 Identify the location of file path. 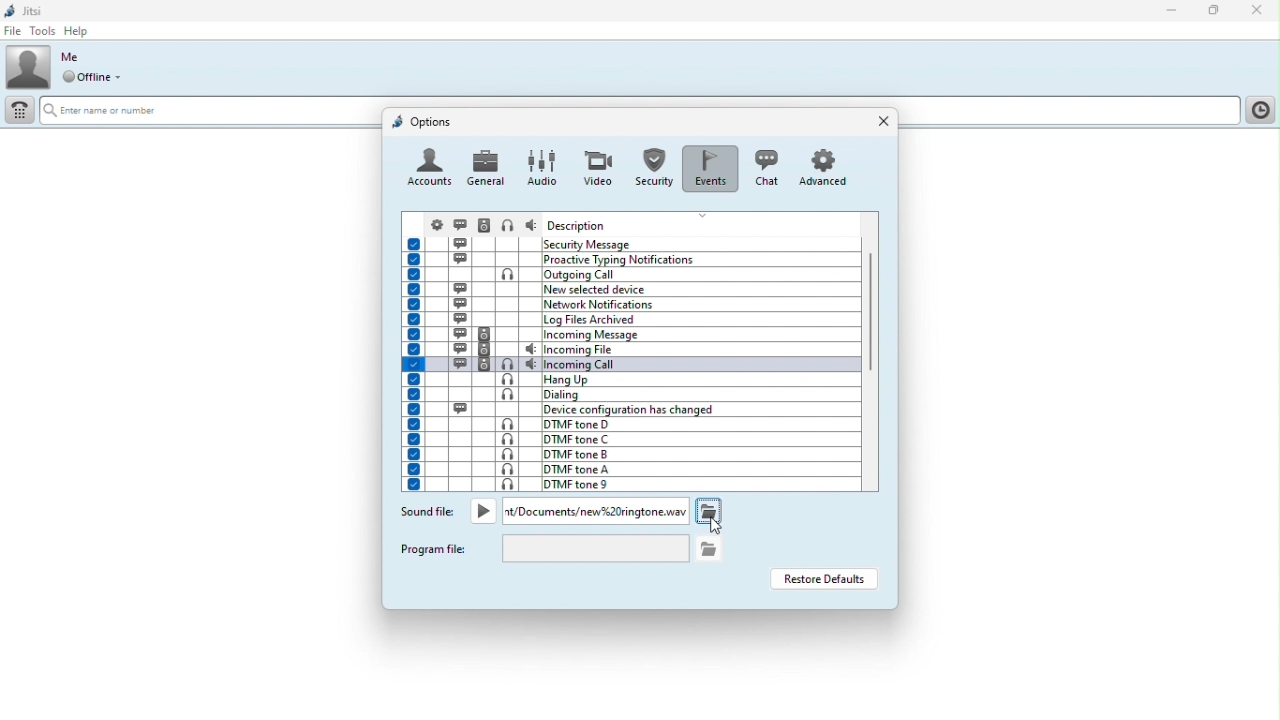
(595, 549).